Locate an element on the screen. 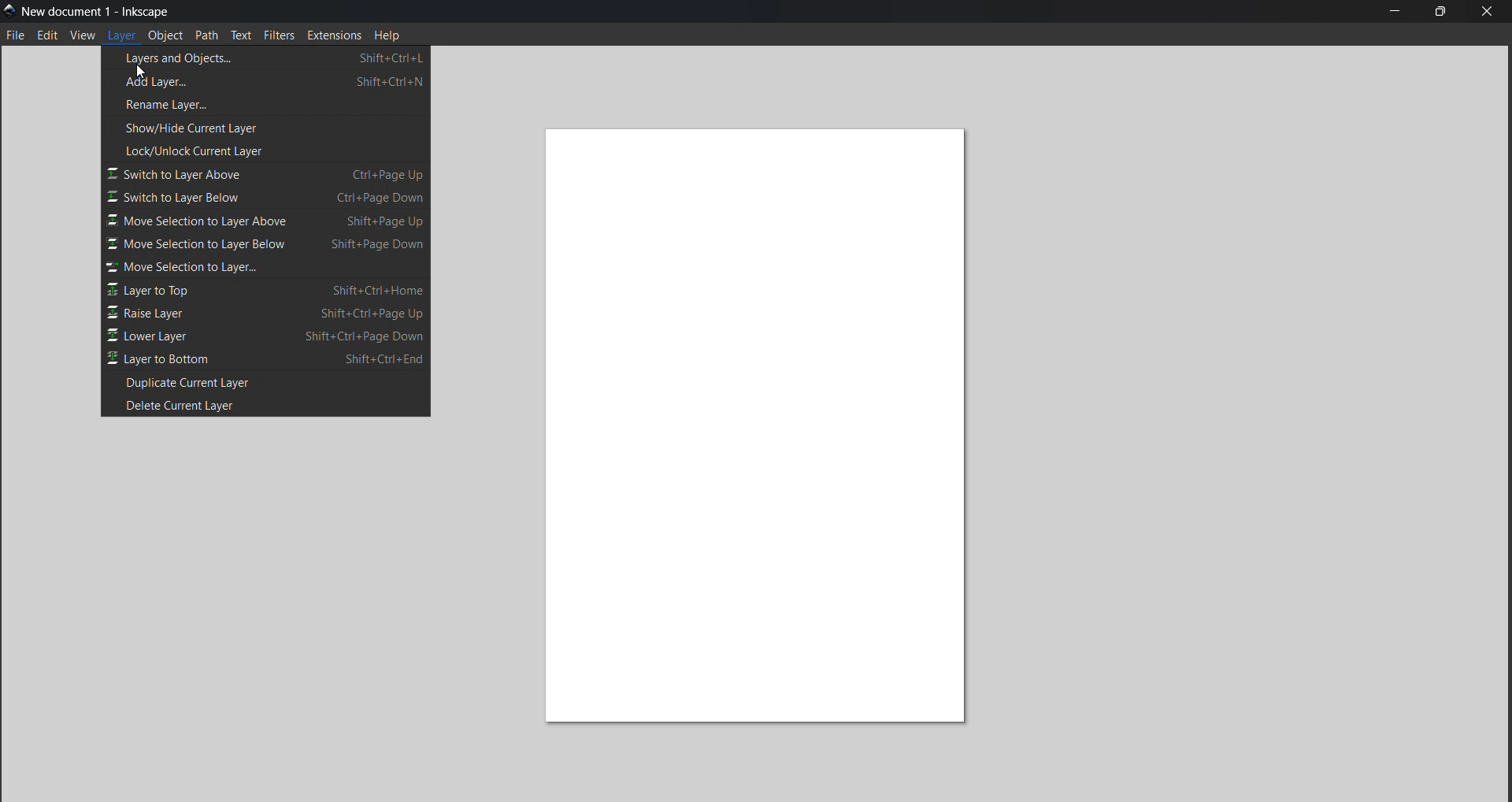 The width and height of the screenshot is (1512, 802). lower layer is located at coordinates (268, 334).